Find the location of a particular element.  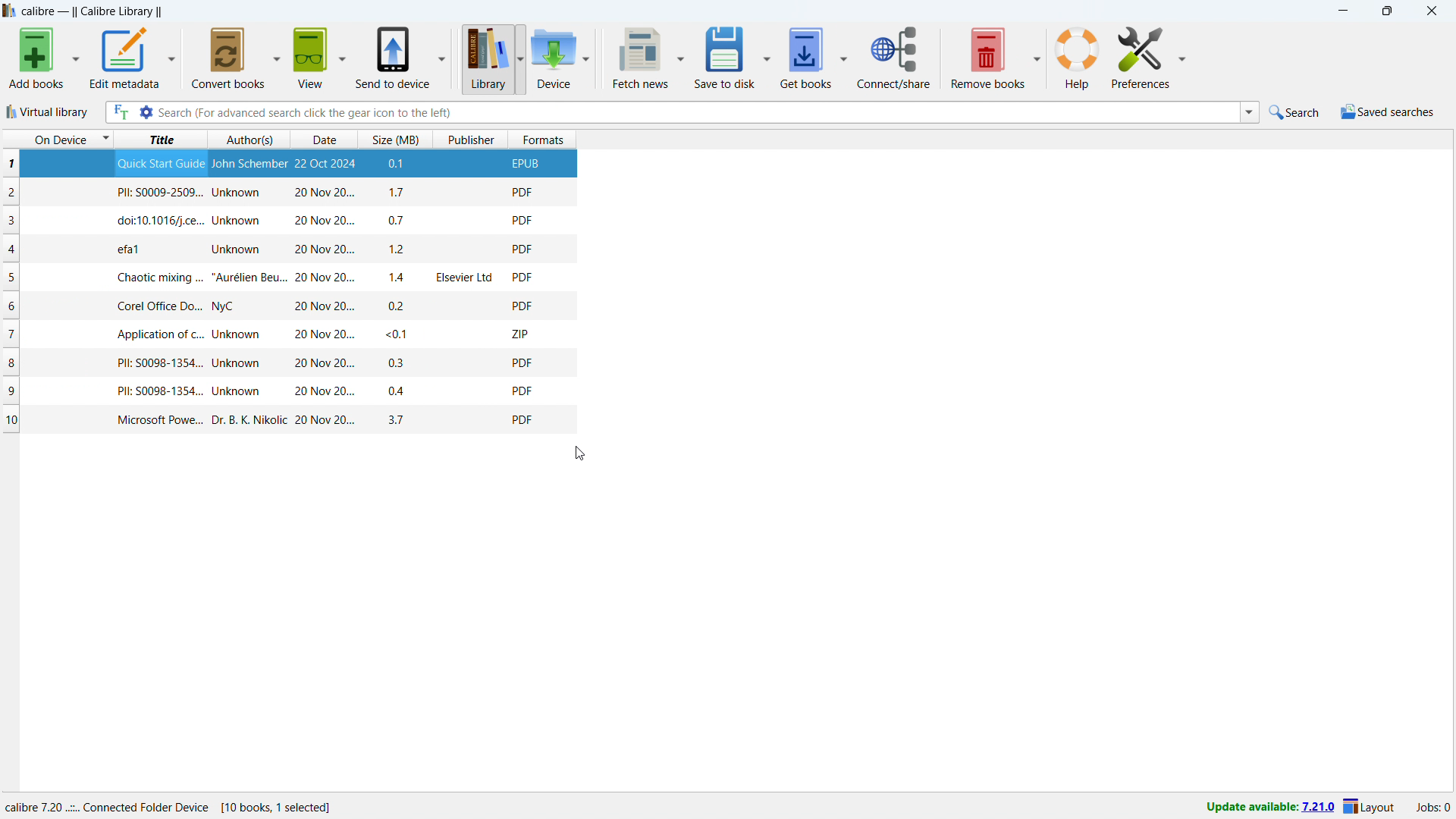

cursor is located at coordinates (582, 455).